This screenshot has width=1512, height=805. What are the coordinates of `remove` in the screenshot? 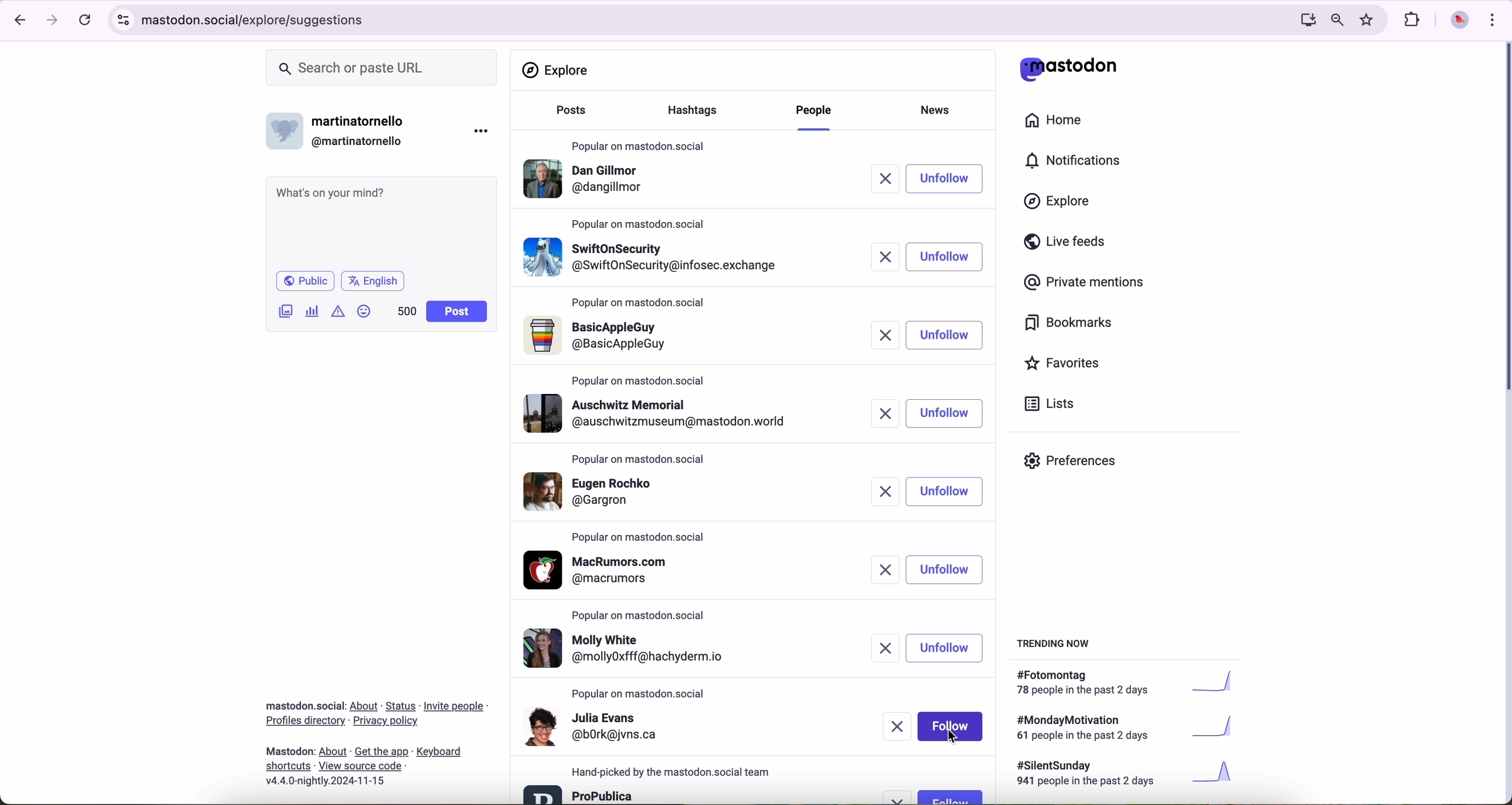 It's located at (889, 413).